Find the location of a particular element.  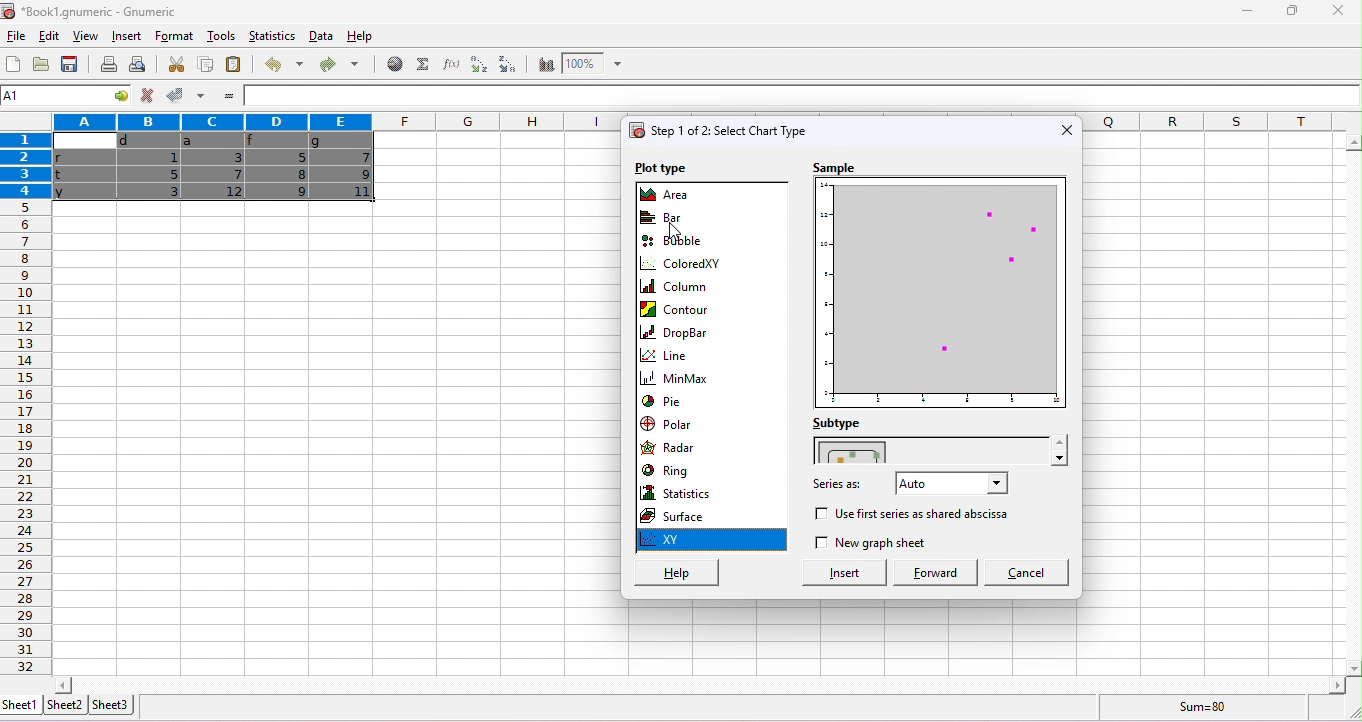

tools is located at coordinates (221, 35).